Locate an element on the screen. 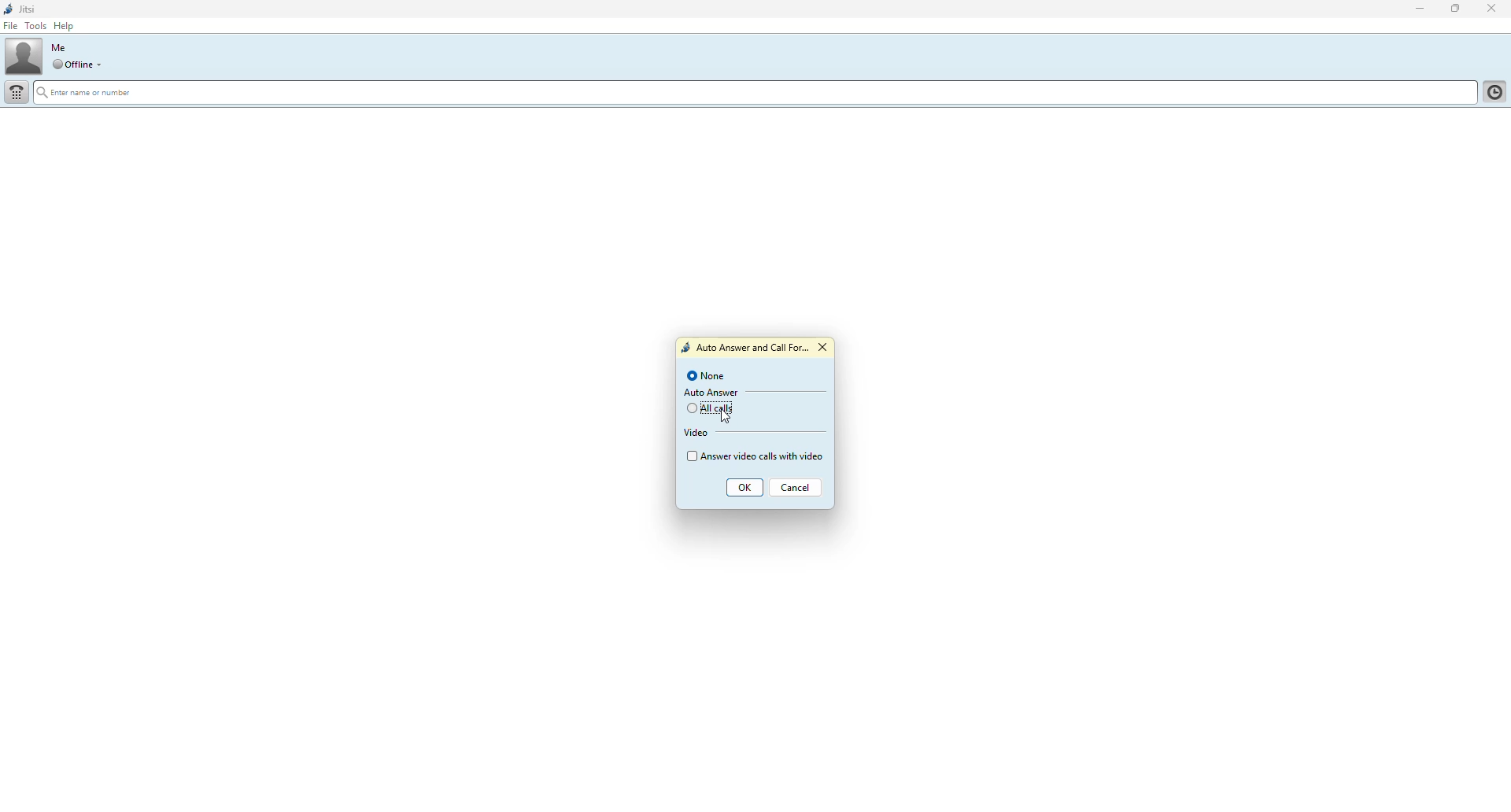 Image resolution: width=1511 pixels, height=812 pixels. file is located at coordinates (13, 27).